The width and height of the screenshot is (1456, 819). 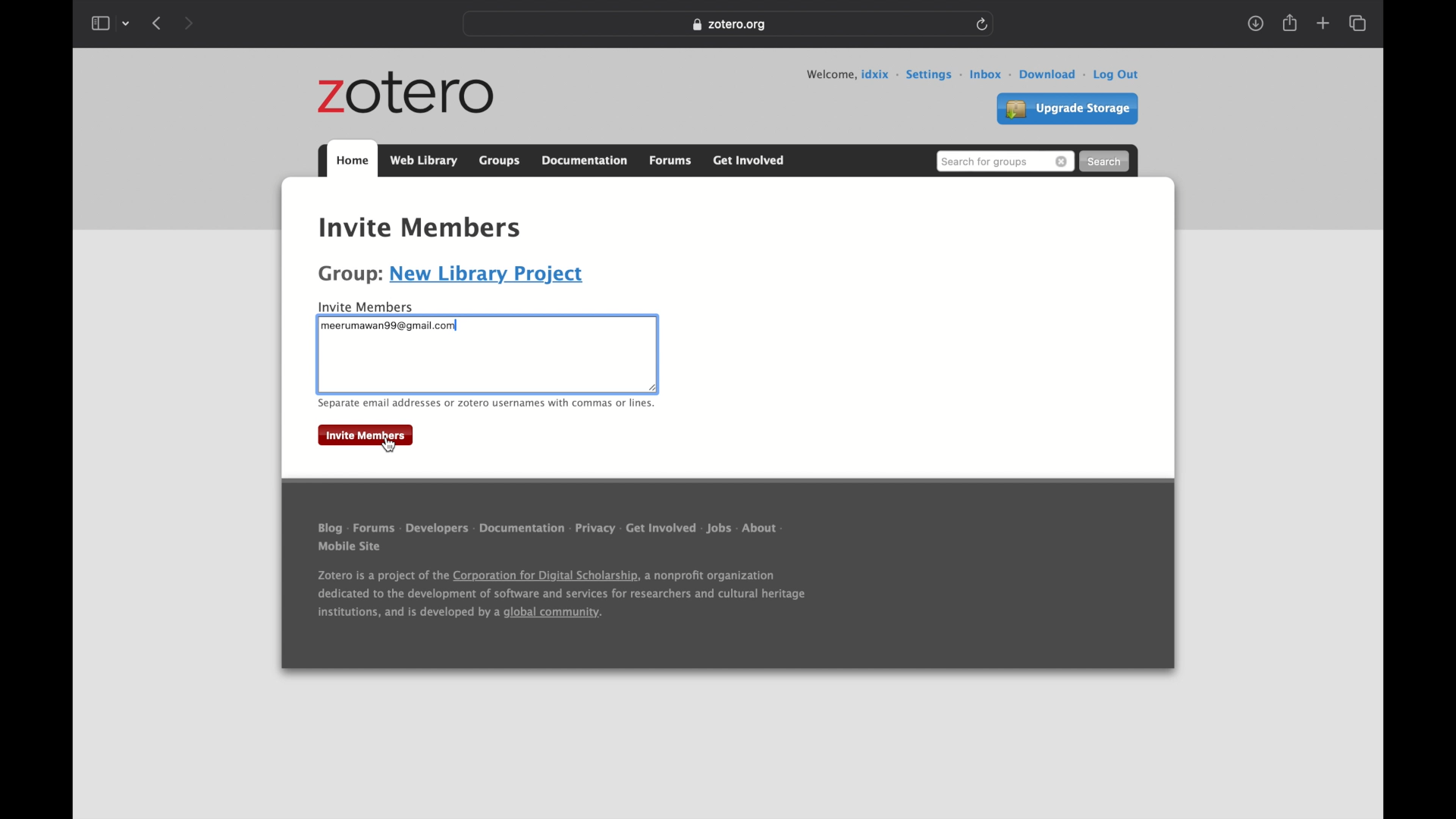 What do you see at coordinates (1116, 73) in the screenshot?
I see `log out` at bounding box center [1116, 73].